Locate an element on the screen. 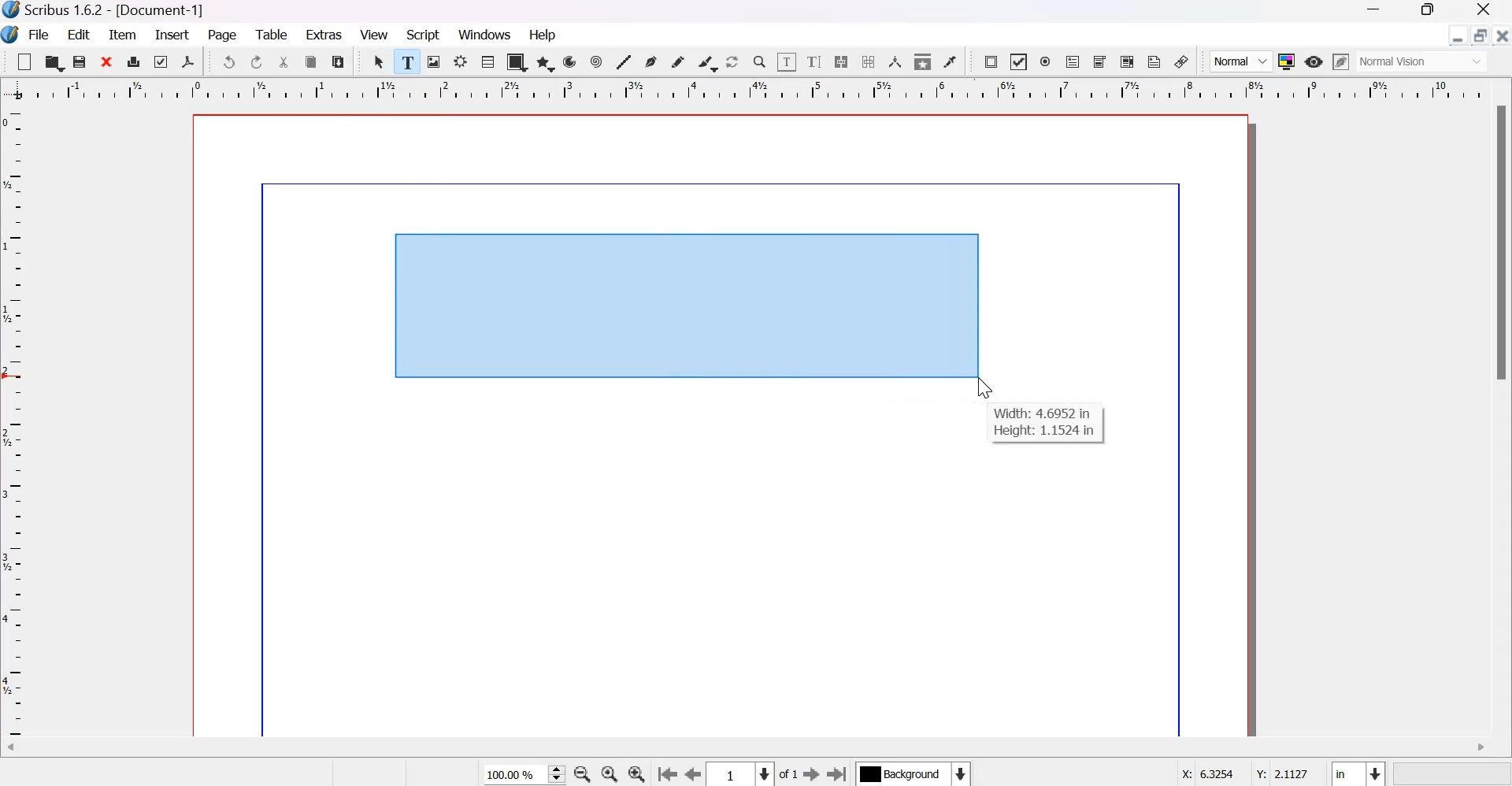 The image size is (1512, 786). spiral is located at coordinates (598, 61).